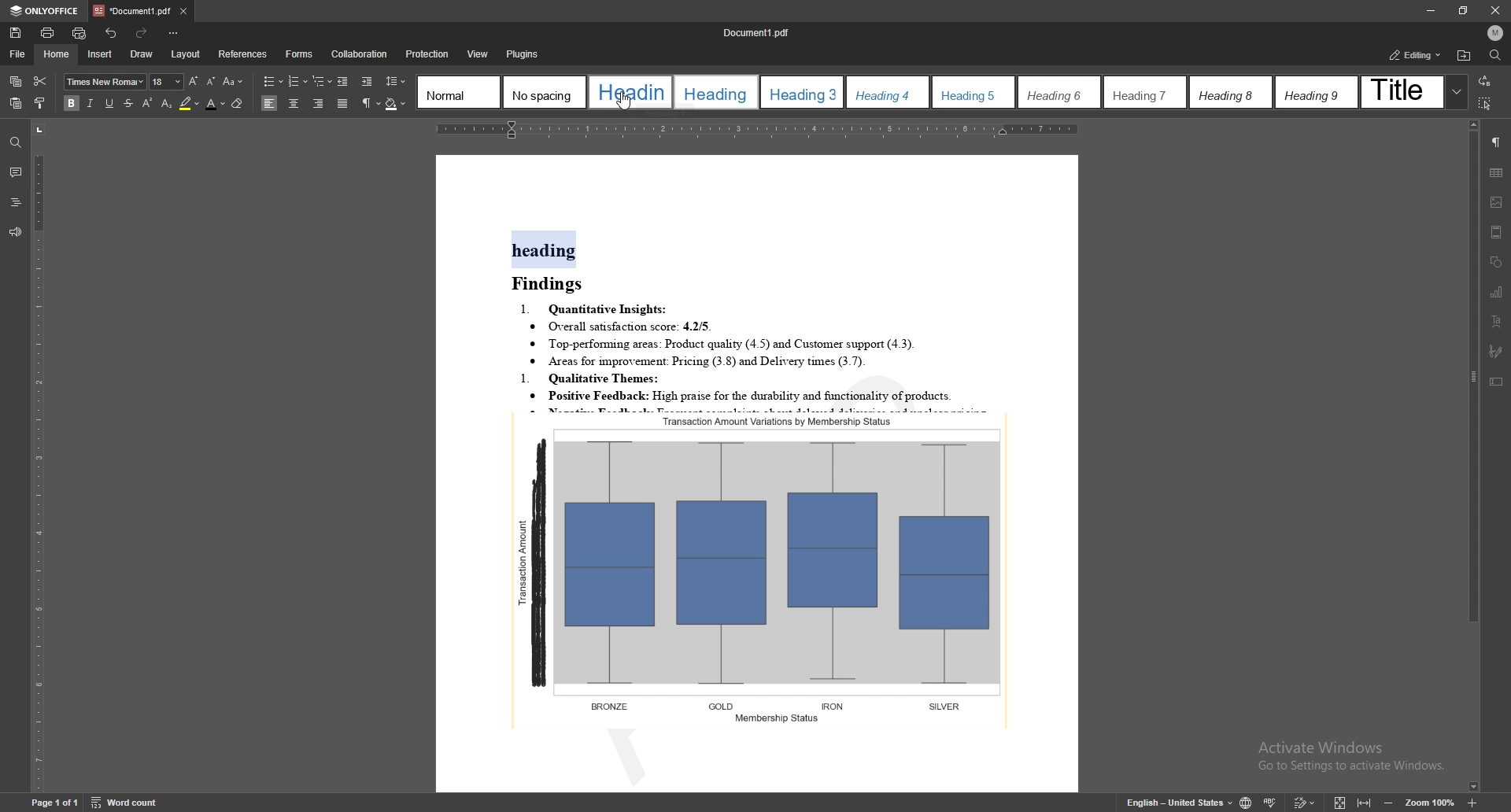 This screenshot has height=812, width=1511. What do you see at coordinates (70, 103) in the screenshot?
I see `bold` at bounding box center [70, 103].